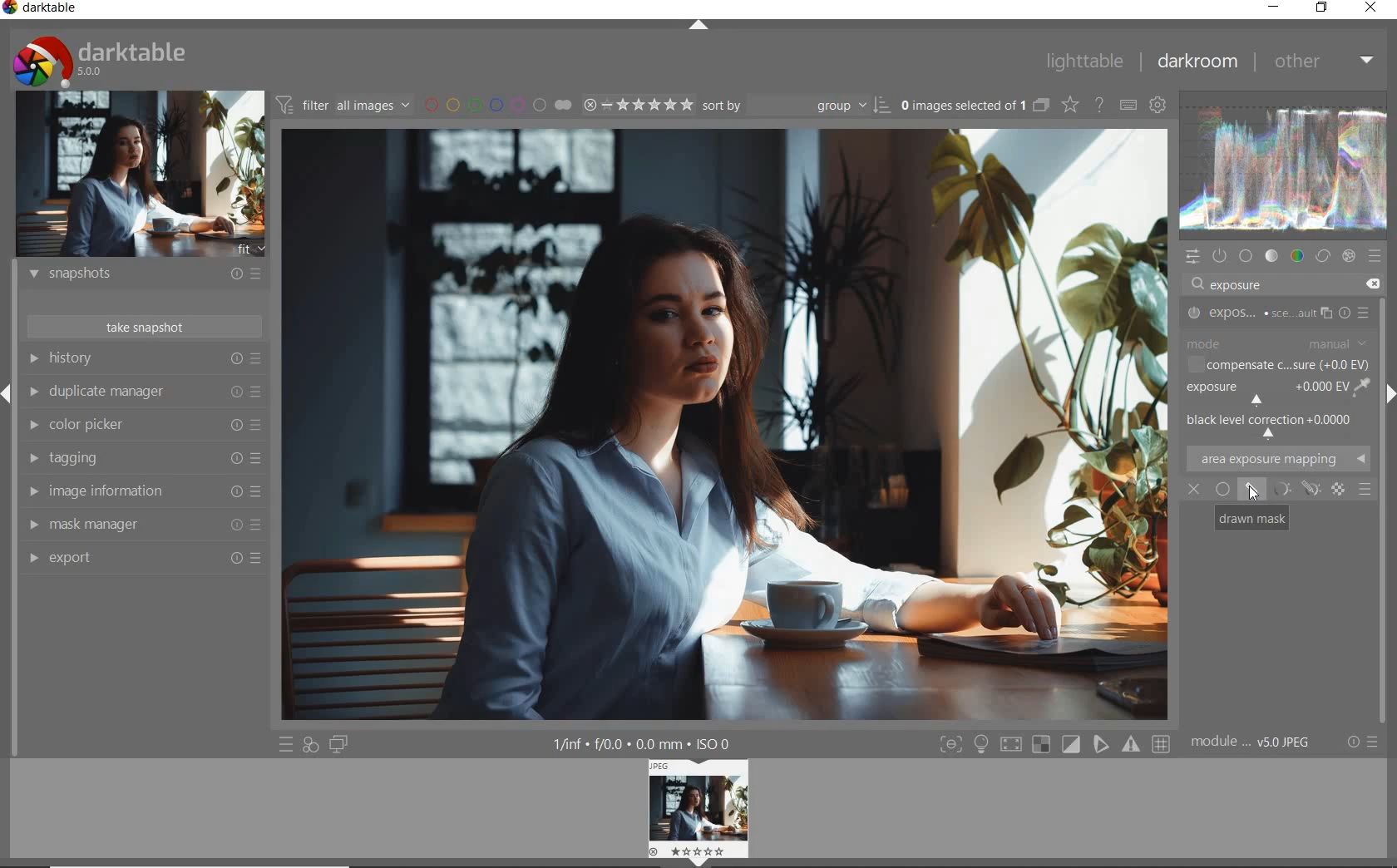 The image size is (1397, 868). Describe the element at coordinates (1255, 518) in the screenshot. I see `DRAWN MASK` at that location.